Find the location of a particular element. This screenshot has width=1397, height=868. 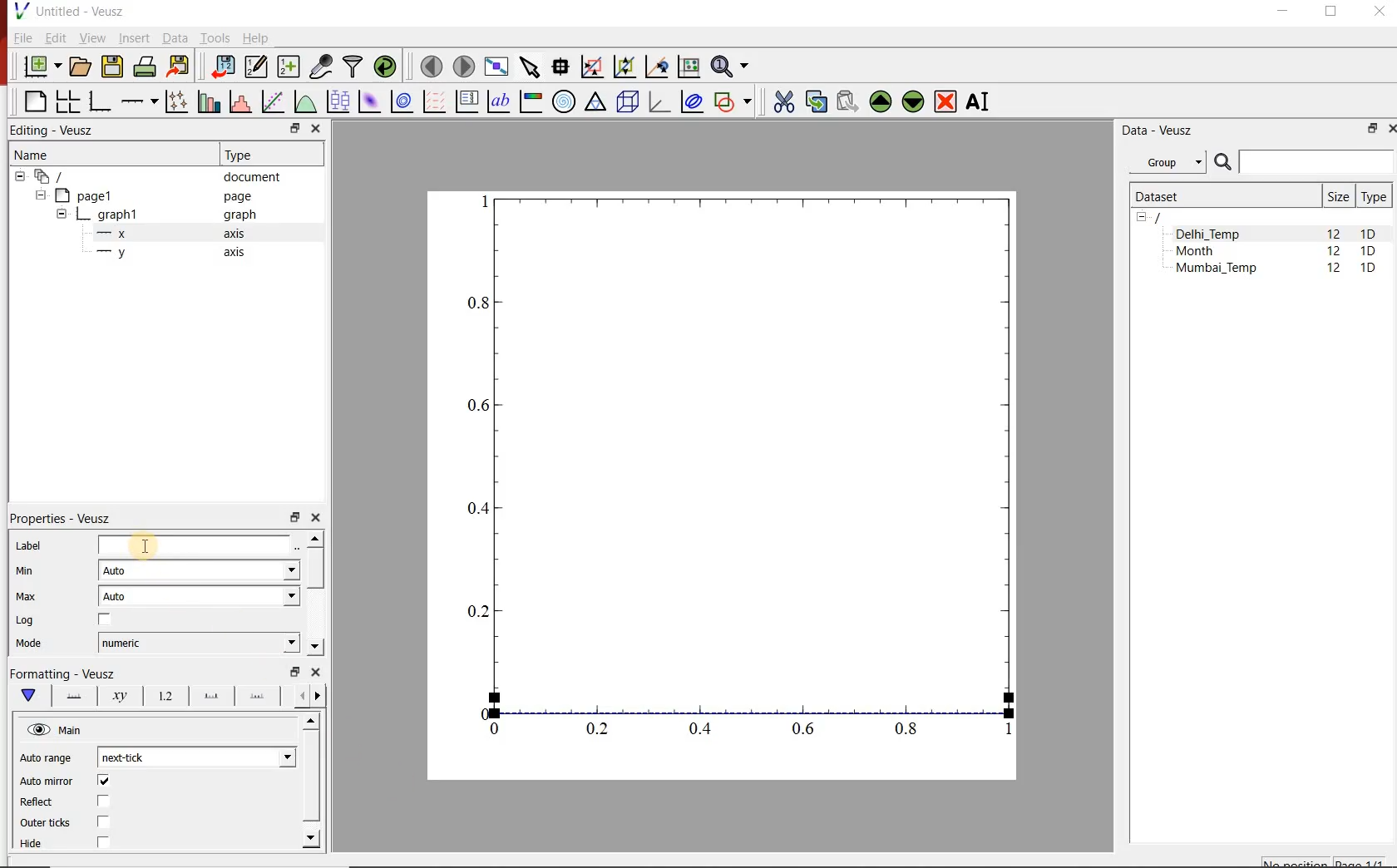

create new datasets using available options is located at coordinates (289, 67).